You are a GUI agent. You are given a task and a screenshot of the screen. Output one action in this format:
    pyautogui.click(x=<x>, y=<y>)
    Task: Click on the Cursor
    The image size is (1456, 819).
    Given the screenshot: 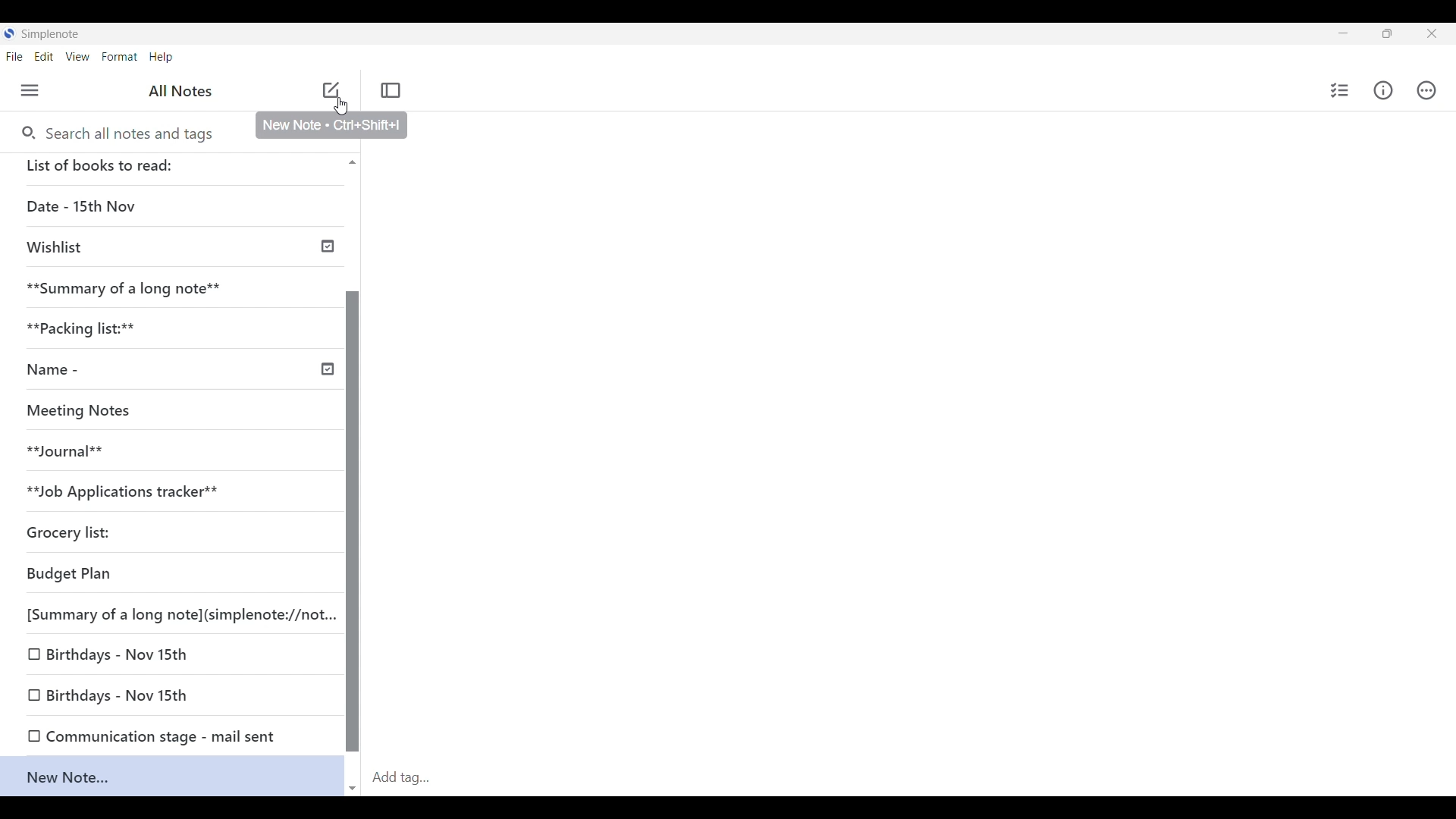 What is the action you would take?
    pyautogui.click(x=346, y=104)
    